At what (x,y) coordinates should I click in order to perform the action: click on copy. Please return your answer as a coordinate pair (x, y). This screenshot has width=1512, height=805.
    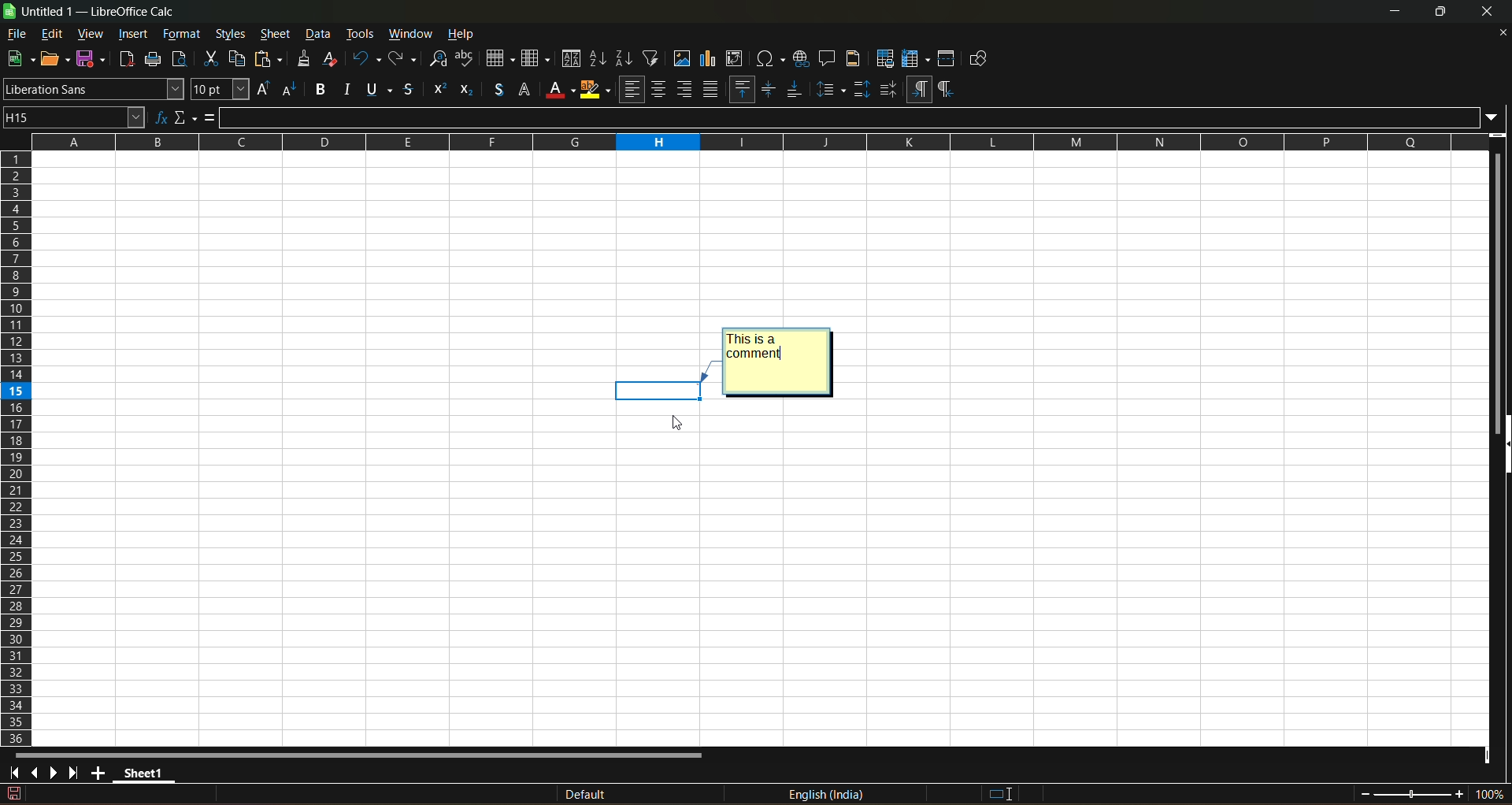
    Looking at the image, I should click on (237, 58).